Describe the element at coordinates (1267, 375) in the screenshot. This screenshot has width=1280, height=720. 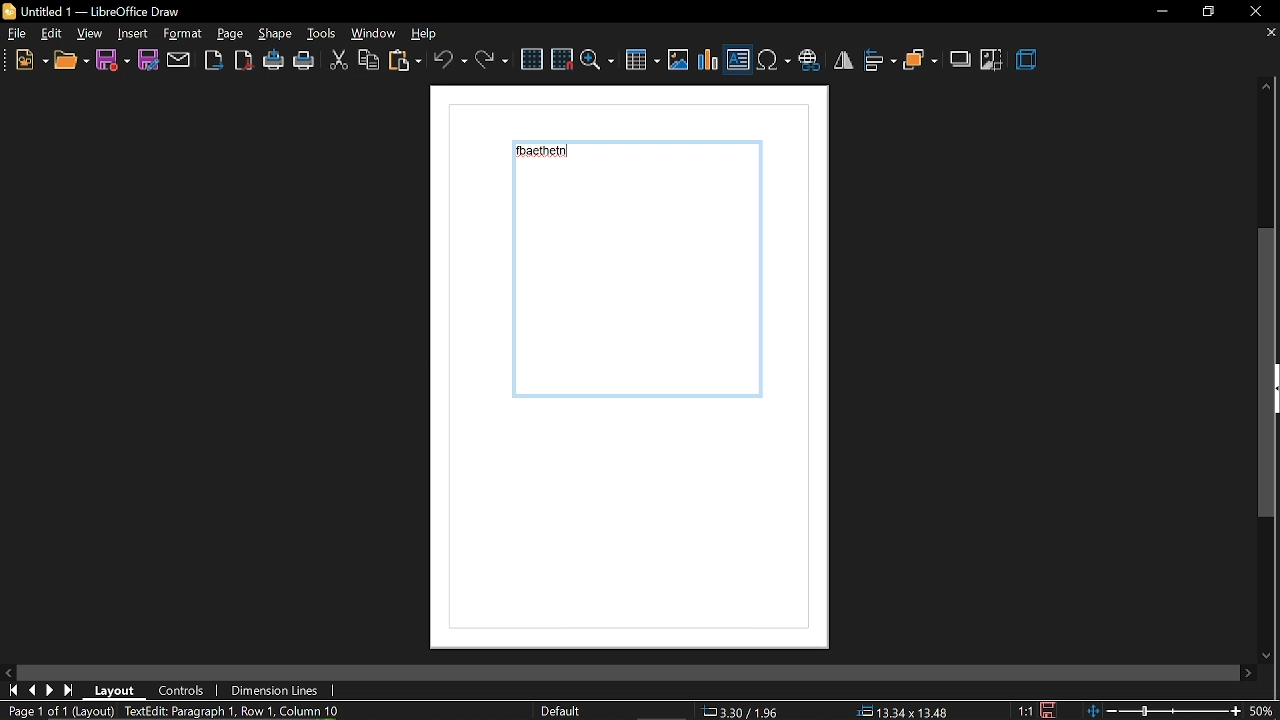
I see `vertical scrollbar` at that location.